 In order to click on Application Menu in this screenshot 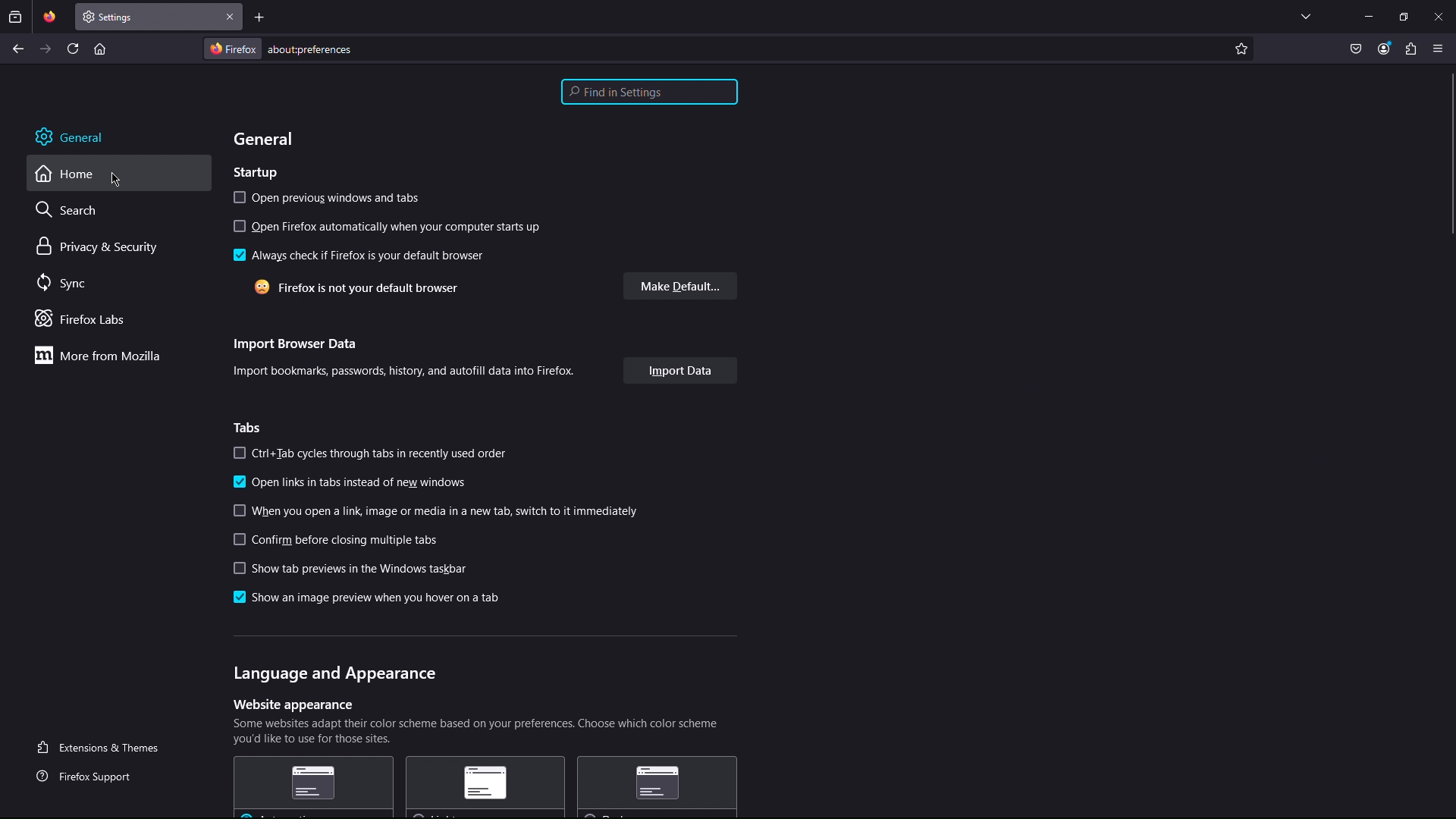, I will do `click(1439, 50)`.